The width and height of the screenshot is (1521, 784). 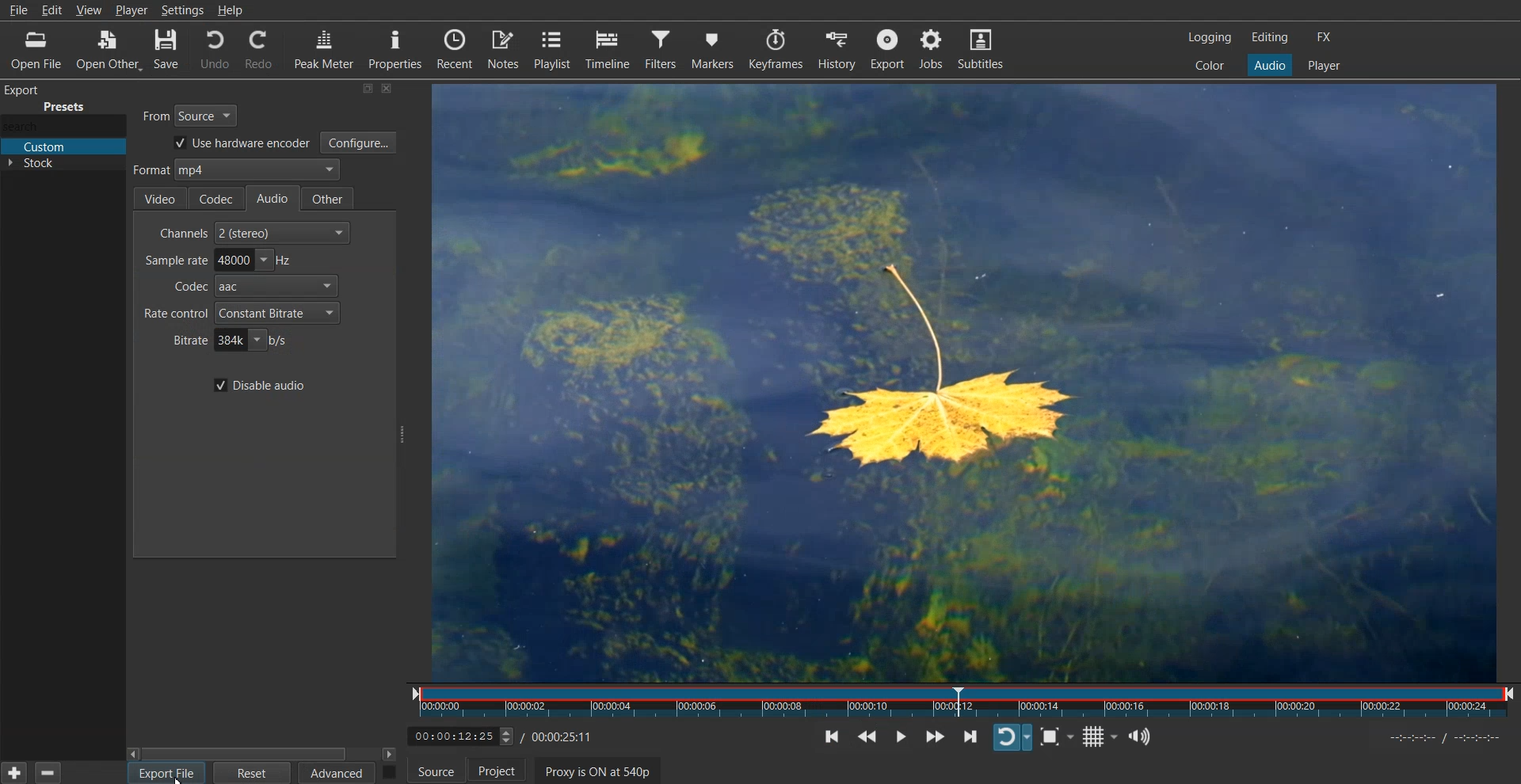 I want to click on Remove current selected preset setting, so click(x=47, y=772).